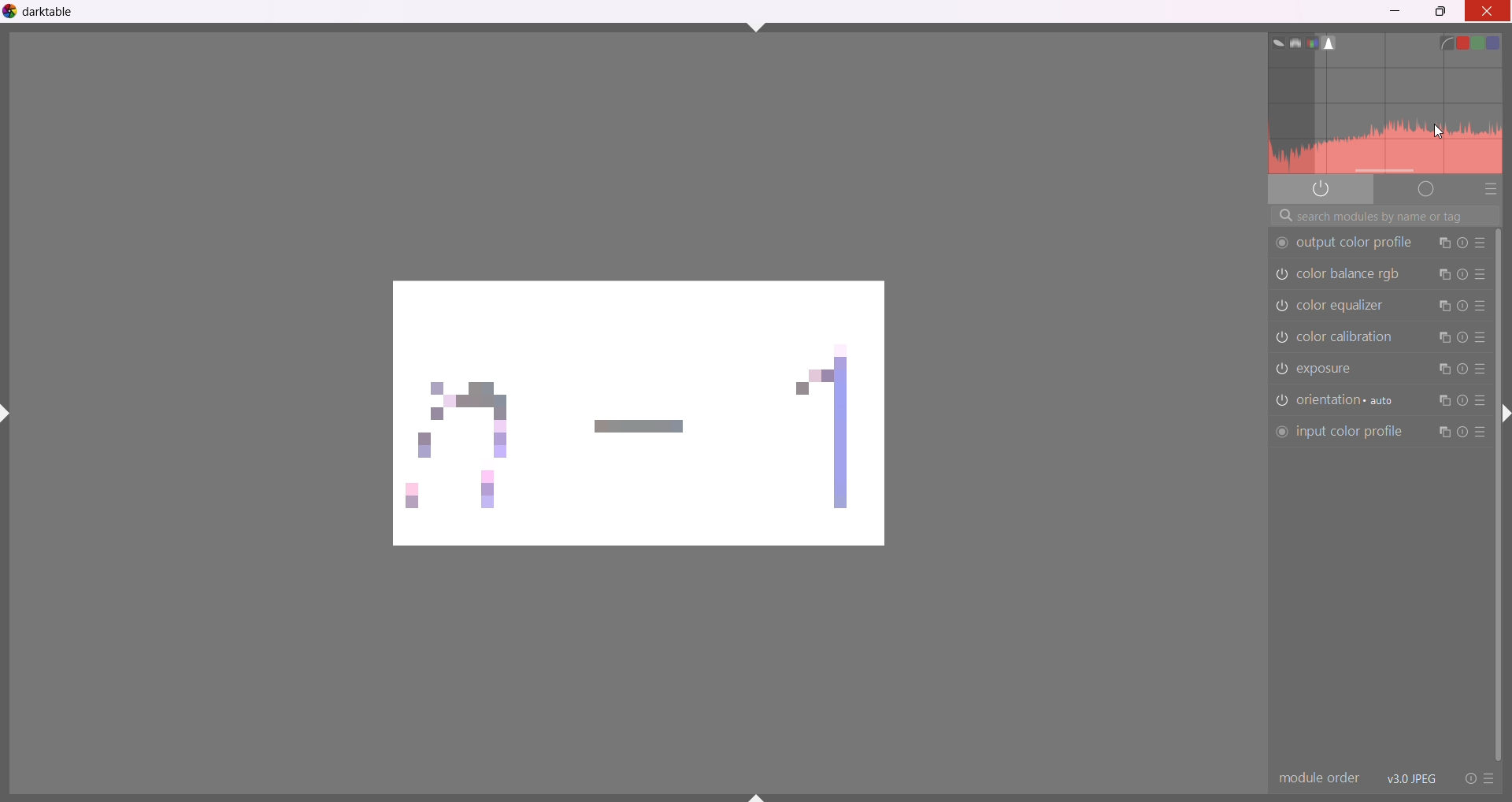  What do you see at coordinates (1350, 400) in the screenshot?
I see `orientation` at bounding box center [1350, 400].